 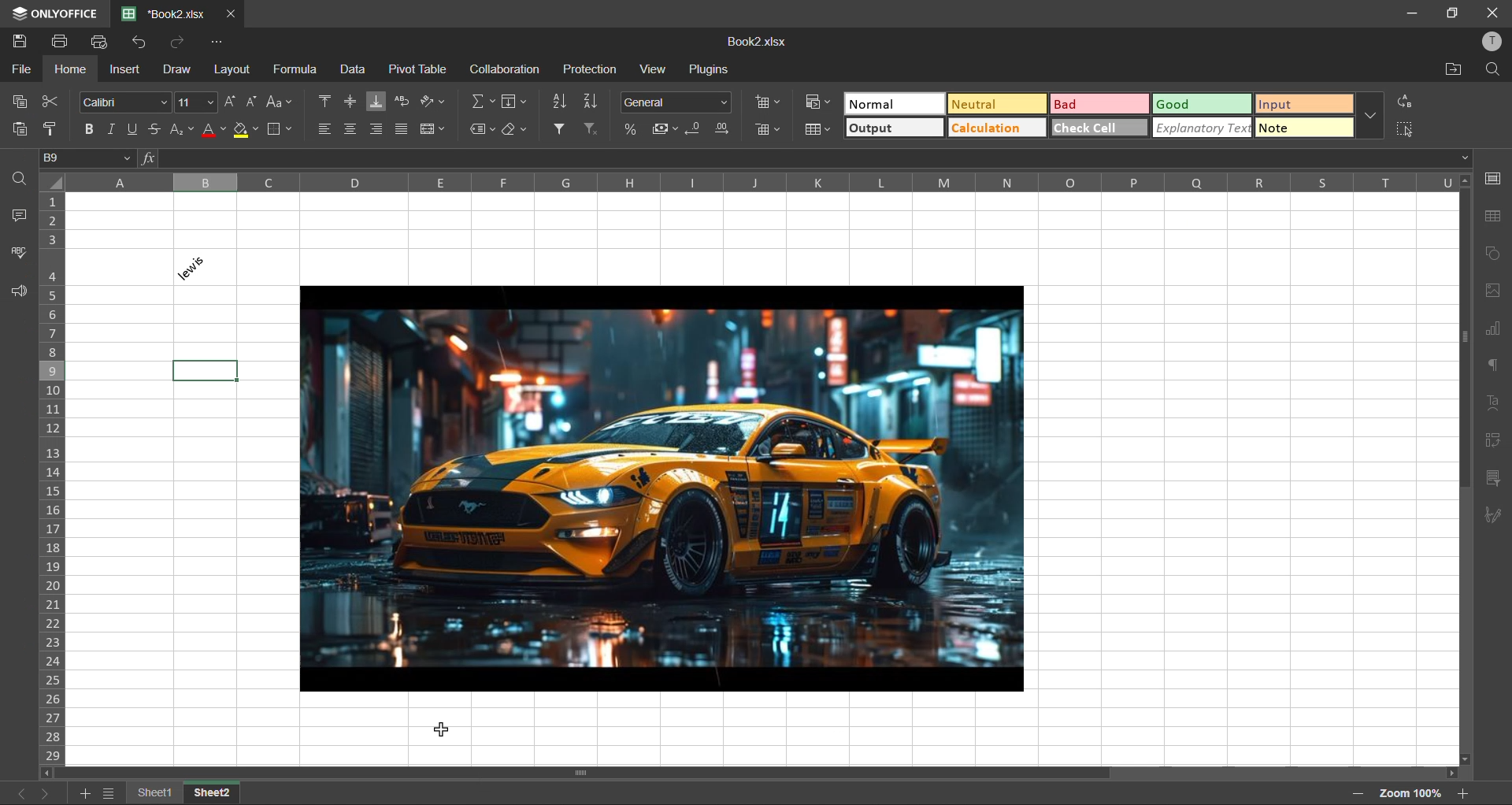 What do you see at coordinates (246, 129) in the screenshot?
I see `fill color` at bounding box center [246, 129].